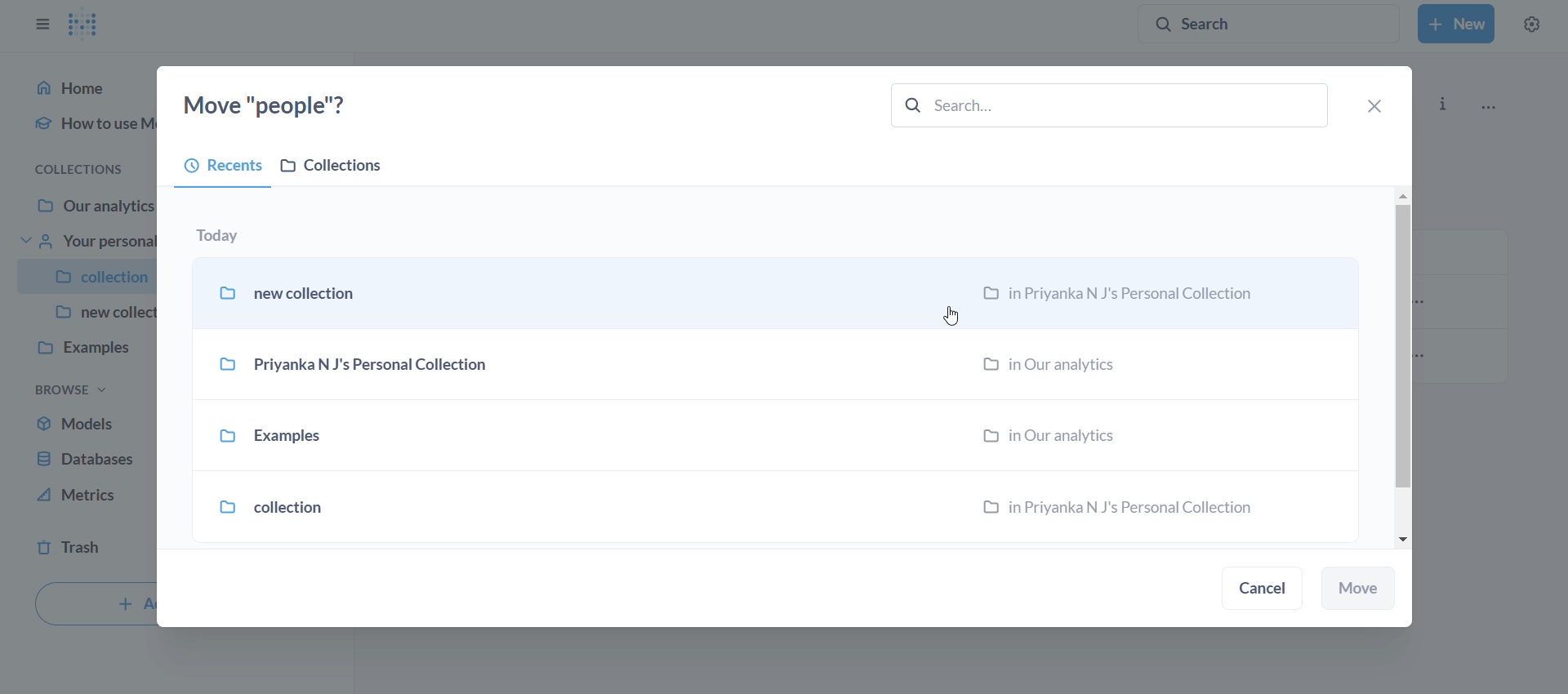  What do you see at coordinates (1403, 367) in the screenshot?
I see `vertical scroll bar` at bounding box center [1403, 367].